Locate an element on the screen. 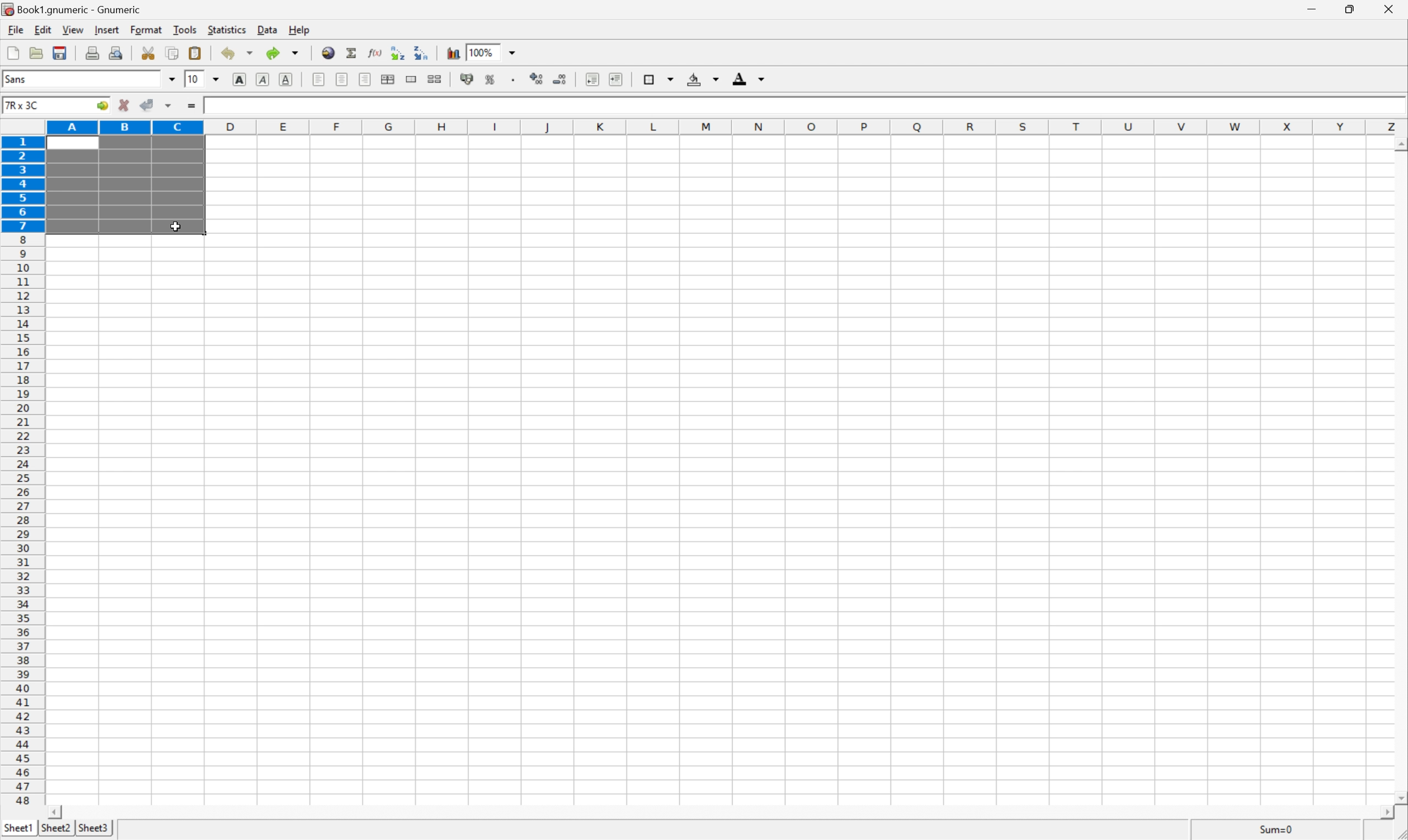 The image size is (1408, 840). split merged ranges of cells is located at coordinates (435, 78).